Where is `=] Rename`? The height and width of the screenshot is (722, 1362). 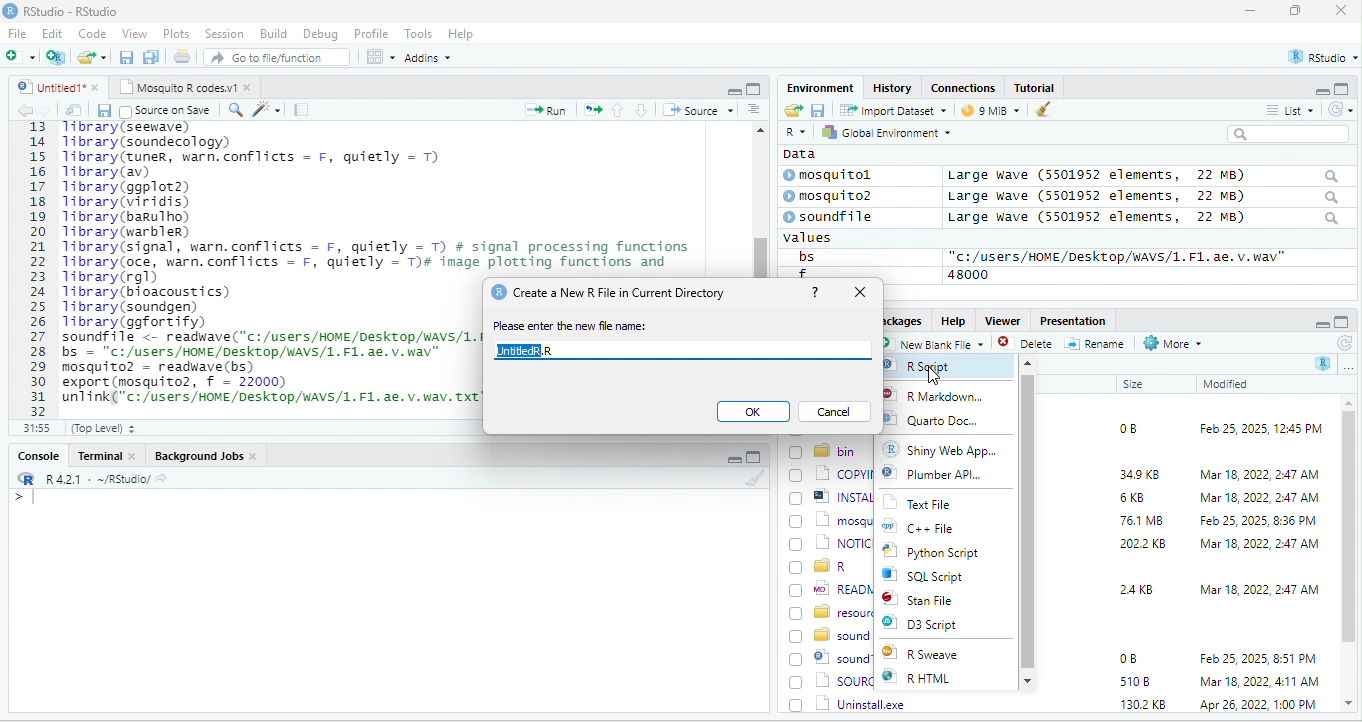
=] Rename is located at coordinates (1096, 343).